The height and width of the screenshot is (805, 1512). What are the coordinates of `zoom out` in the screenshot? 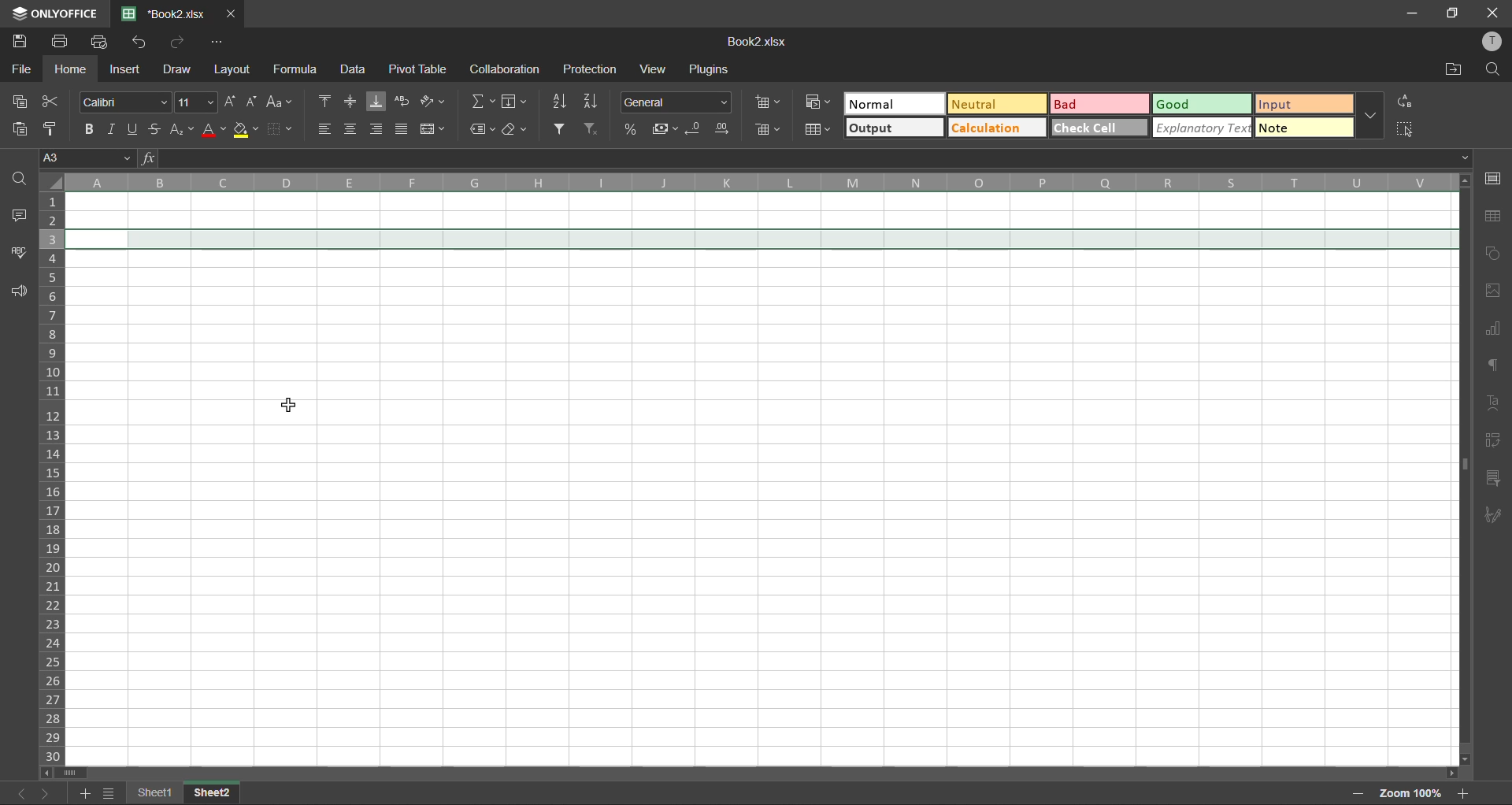 It's located at (1355, 794).